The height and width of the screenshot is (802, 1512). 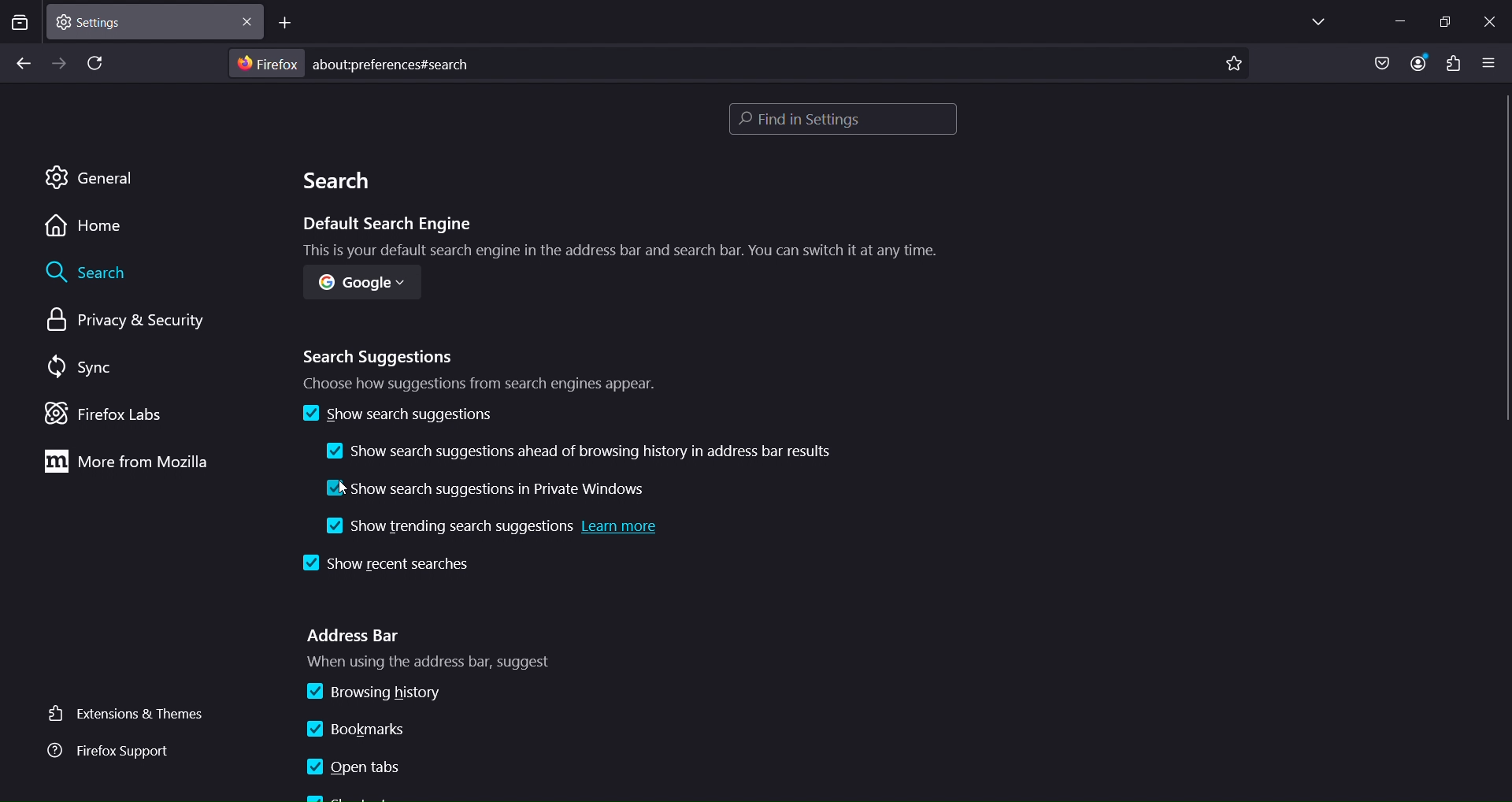 I want to click on go back one page, so click(x=23, y=65).